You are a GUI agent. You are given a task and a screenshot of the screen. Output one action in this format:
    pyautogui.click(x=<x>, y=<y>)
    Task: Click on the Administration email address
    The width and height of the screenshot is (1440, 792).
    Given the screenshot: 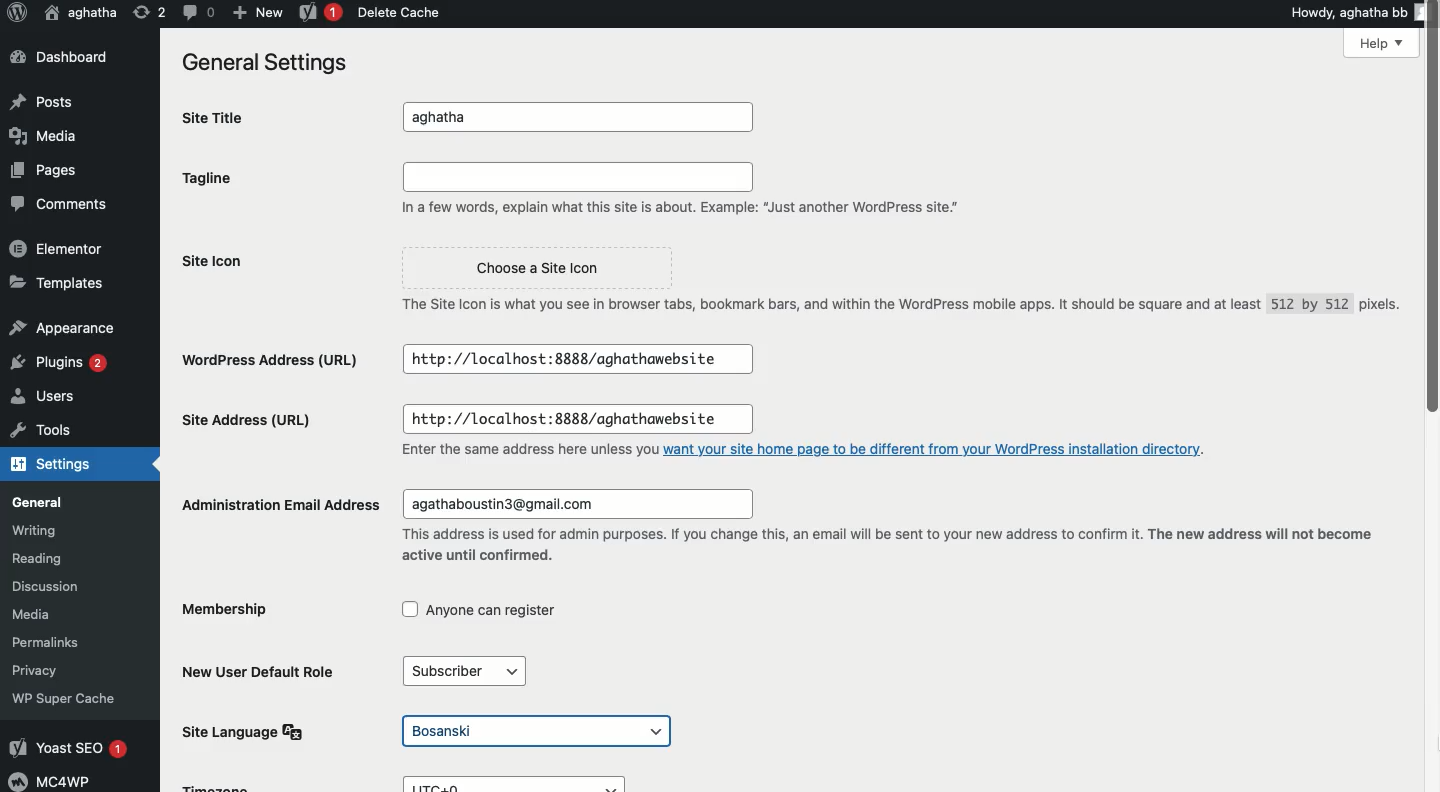 What is the action you would take?
    pyautogui.click(x=278, y=503)
    